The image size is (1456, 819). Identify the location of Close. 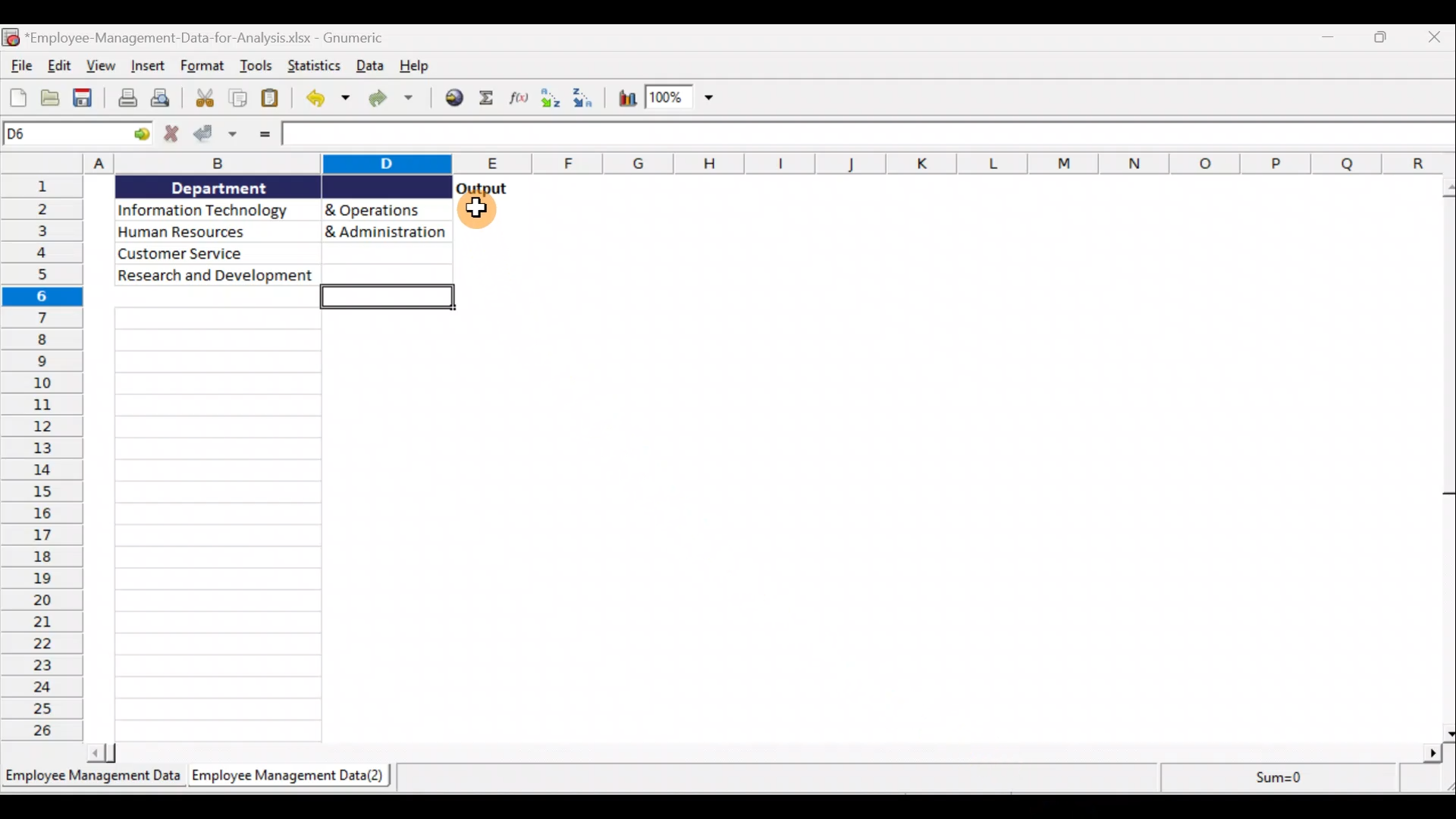
(1433, 40).